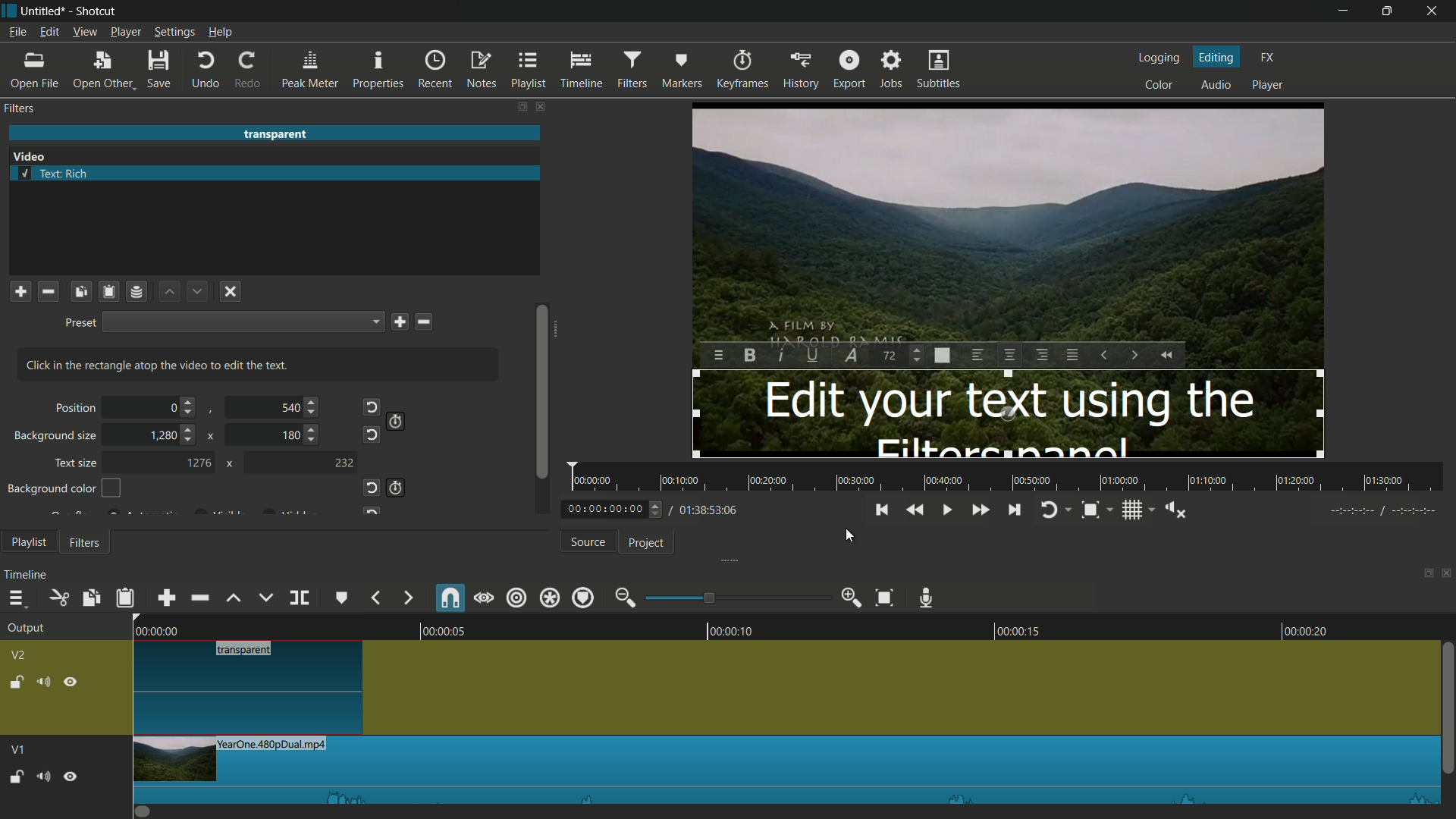 The height and width of the screenshot is (819, 1456). I want to click on align center, so click(1009, 354).